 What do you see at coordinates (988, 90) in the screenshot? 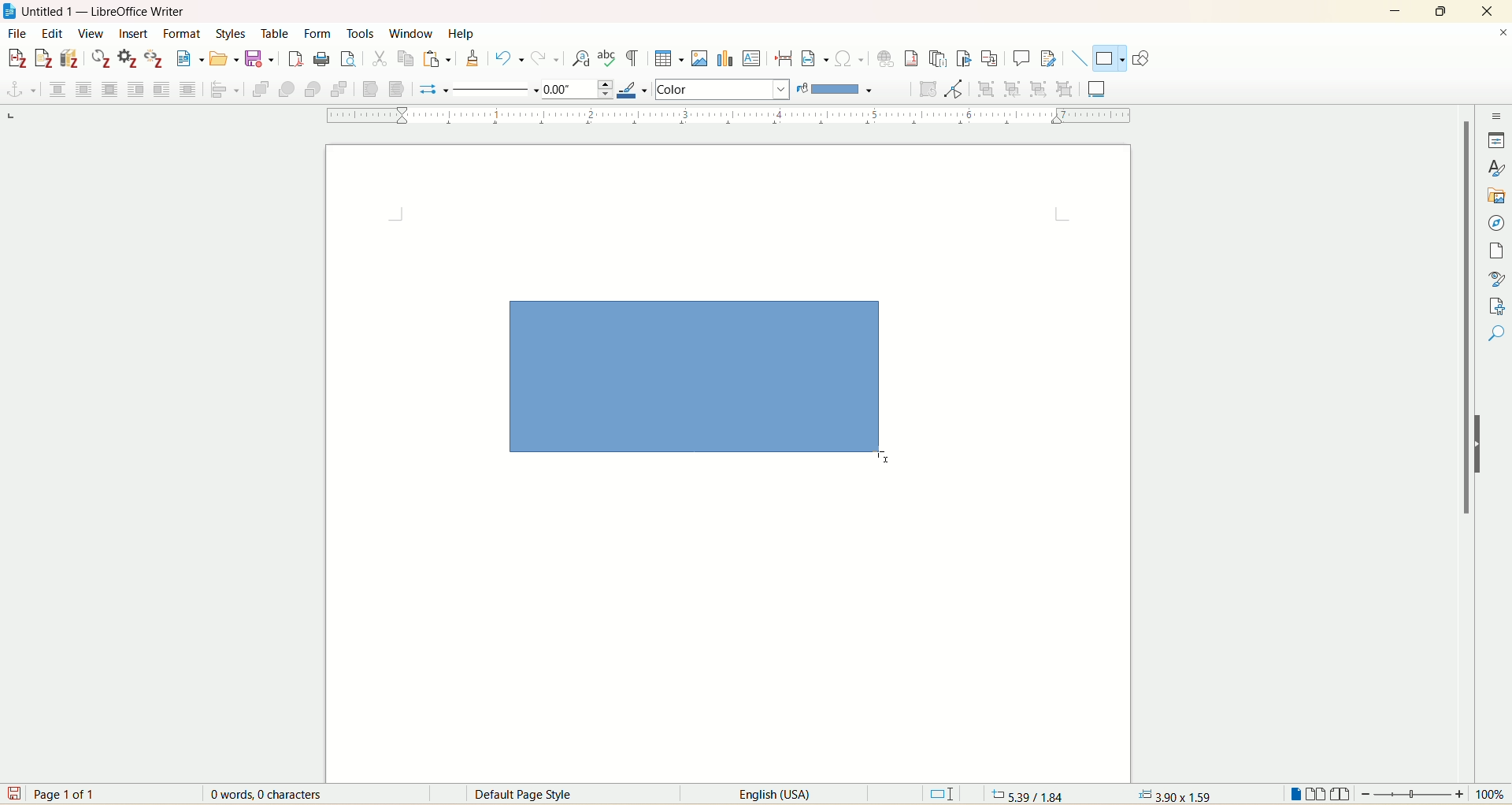
I see `group` at bounding box center [988, 90].